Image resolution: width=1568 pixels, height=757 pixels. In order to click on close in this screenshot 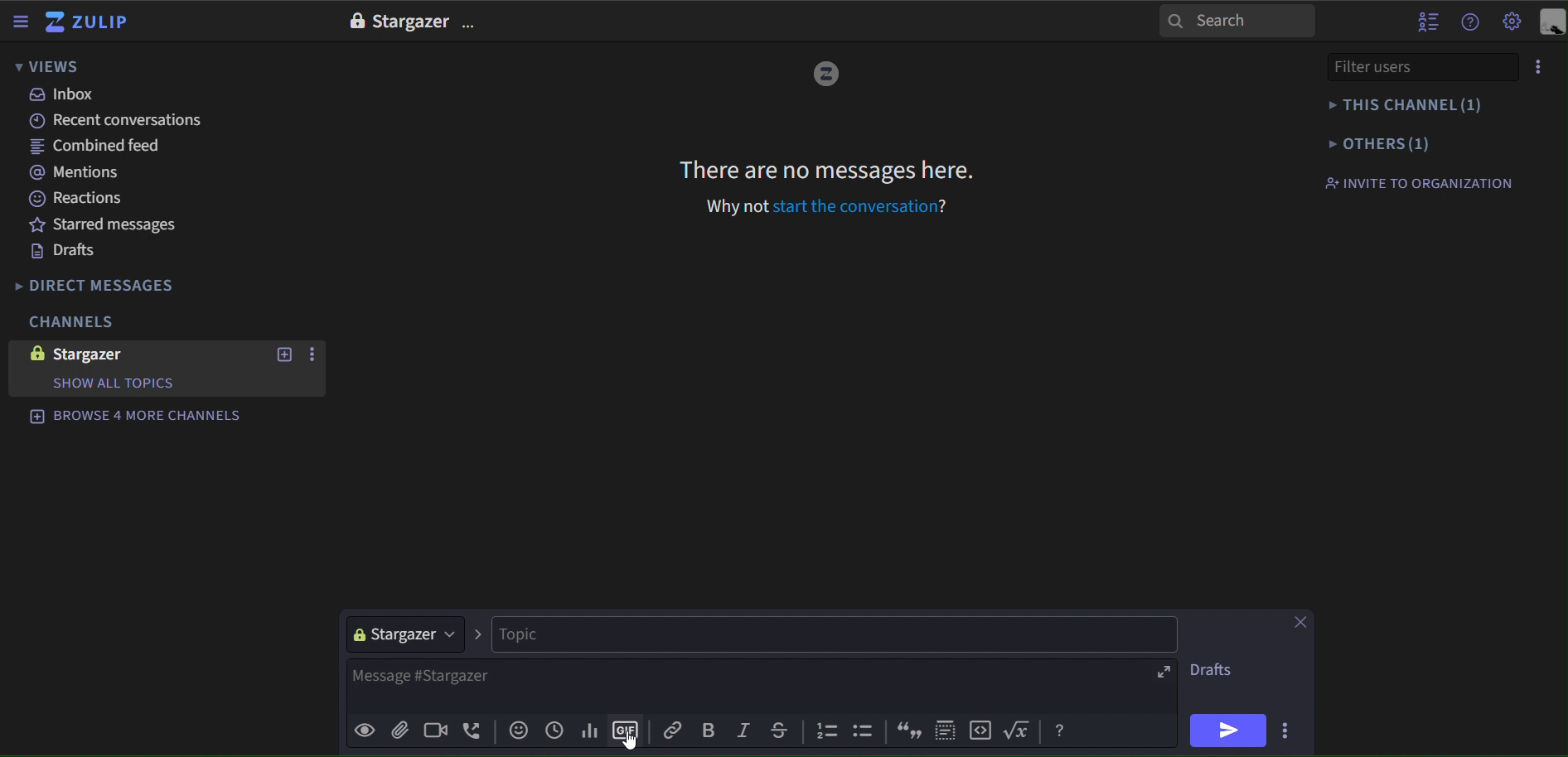, I will do `click(1298, 622)`.